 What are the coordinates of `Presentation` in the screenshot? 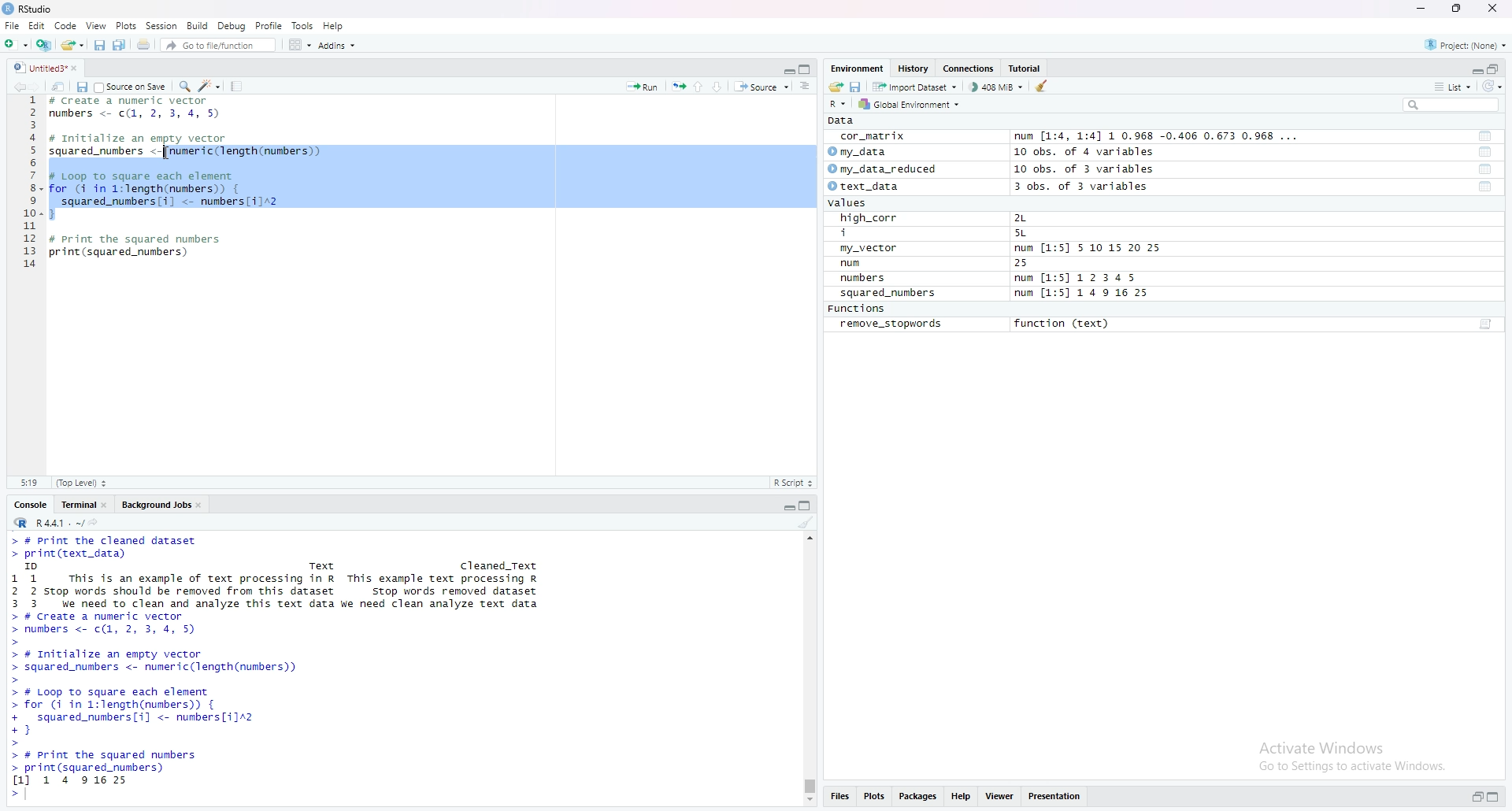 It's located at (1055, 797).